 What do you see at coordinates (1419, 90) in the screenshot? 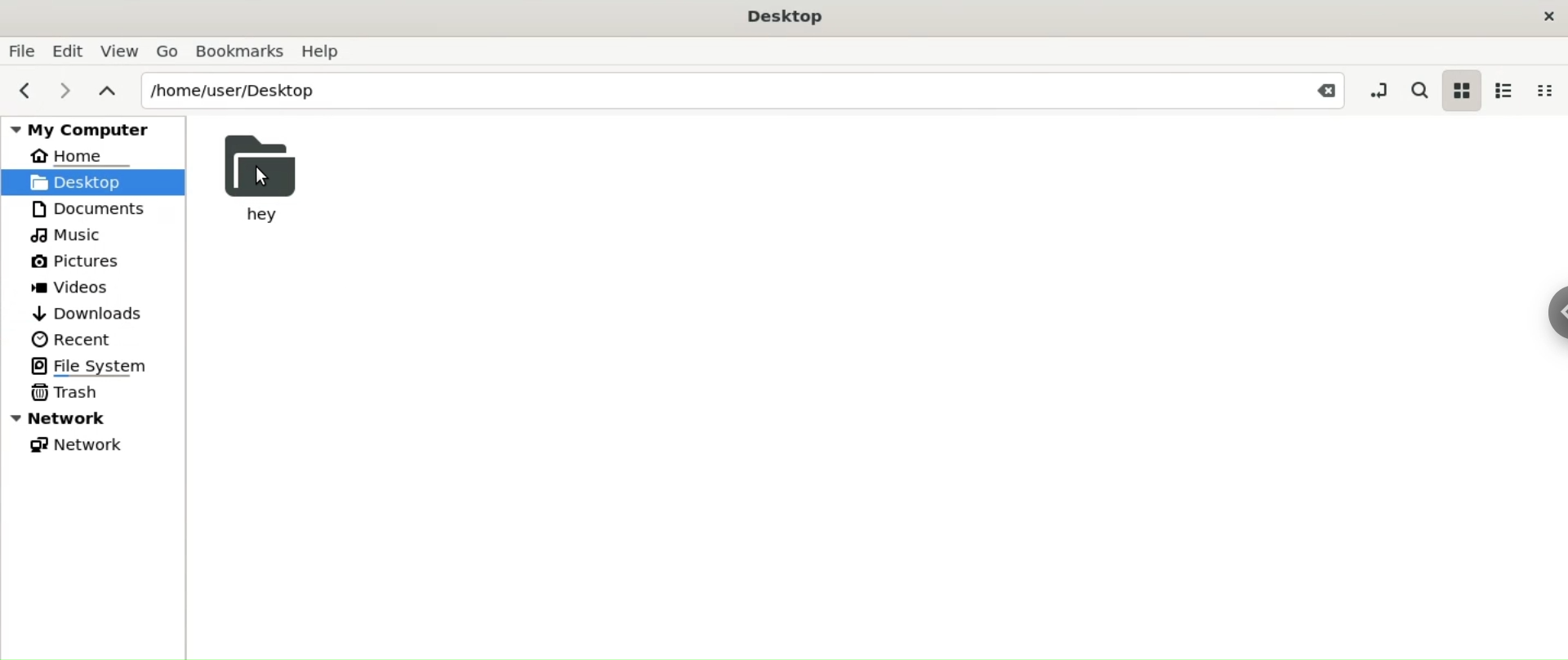
I see `search` at bounding box center [1419, 90].